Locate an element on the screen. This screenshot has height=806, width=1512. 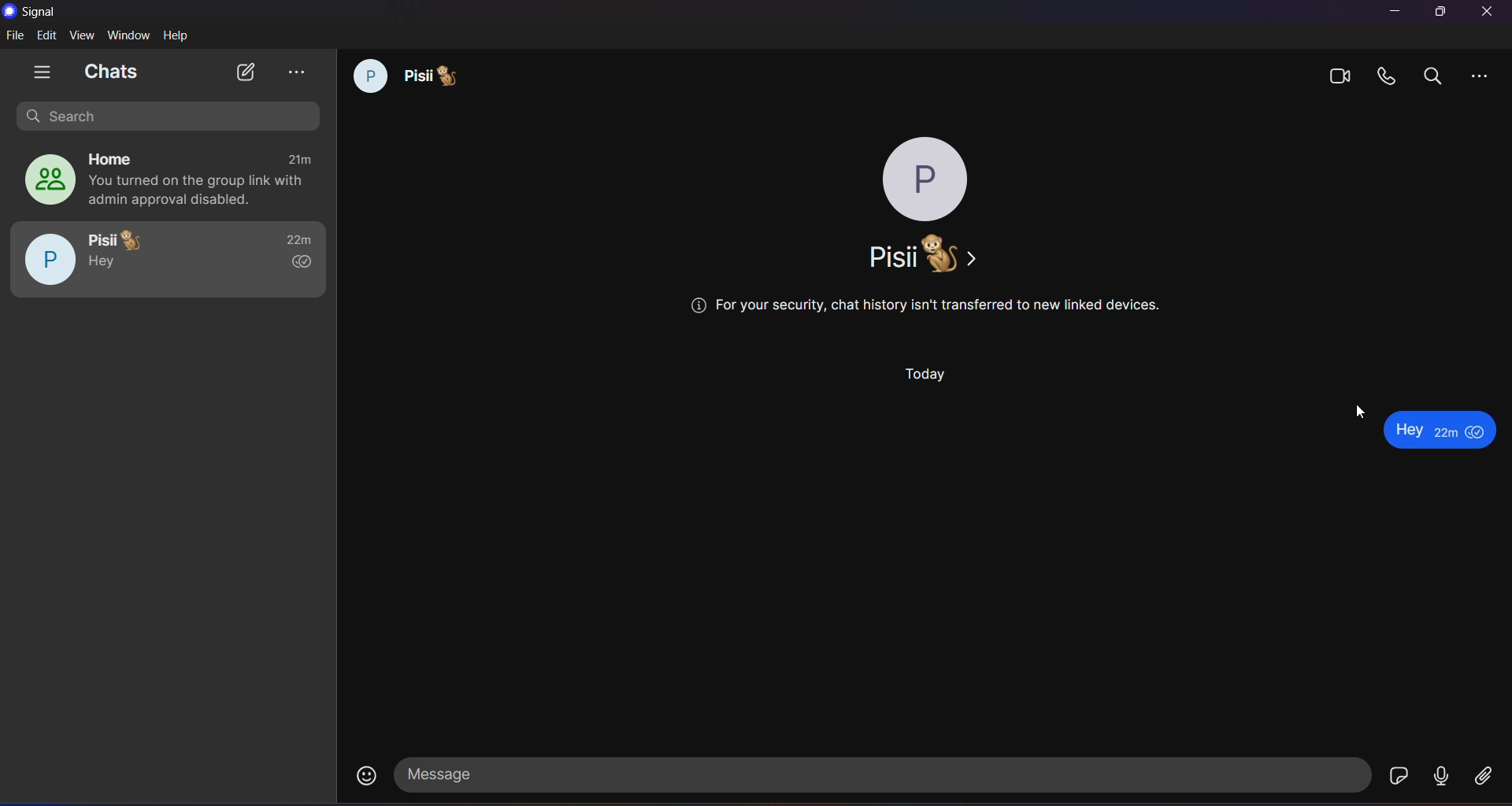
voice message is located at coordinates (1439, 780).